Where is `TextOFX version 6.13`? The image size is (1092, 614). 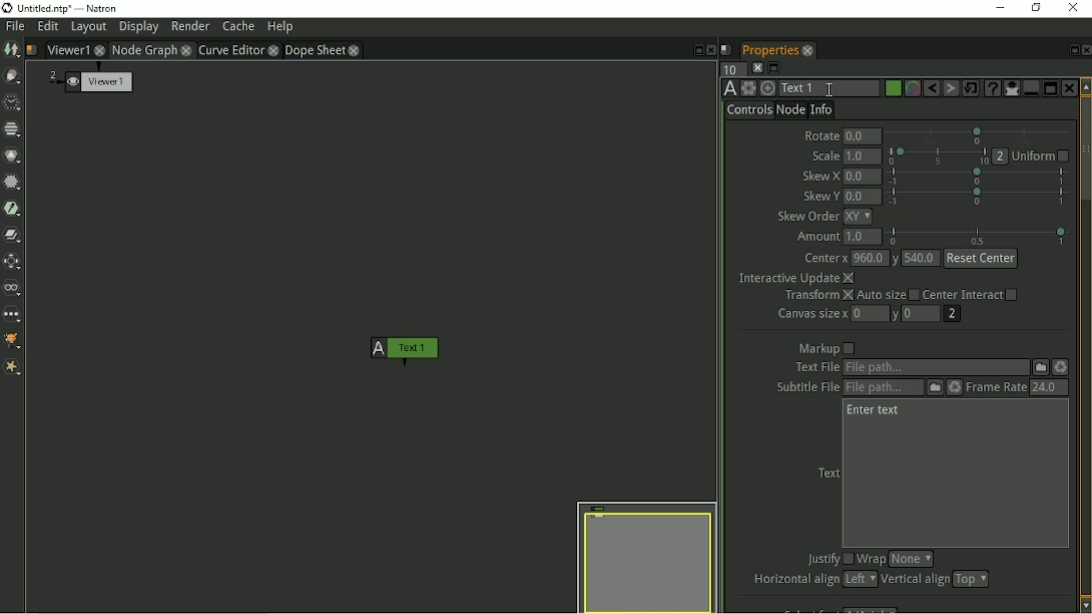
TextOFX version 6.13 is located at coordinates (727, 89).